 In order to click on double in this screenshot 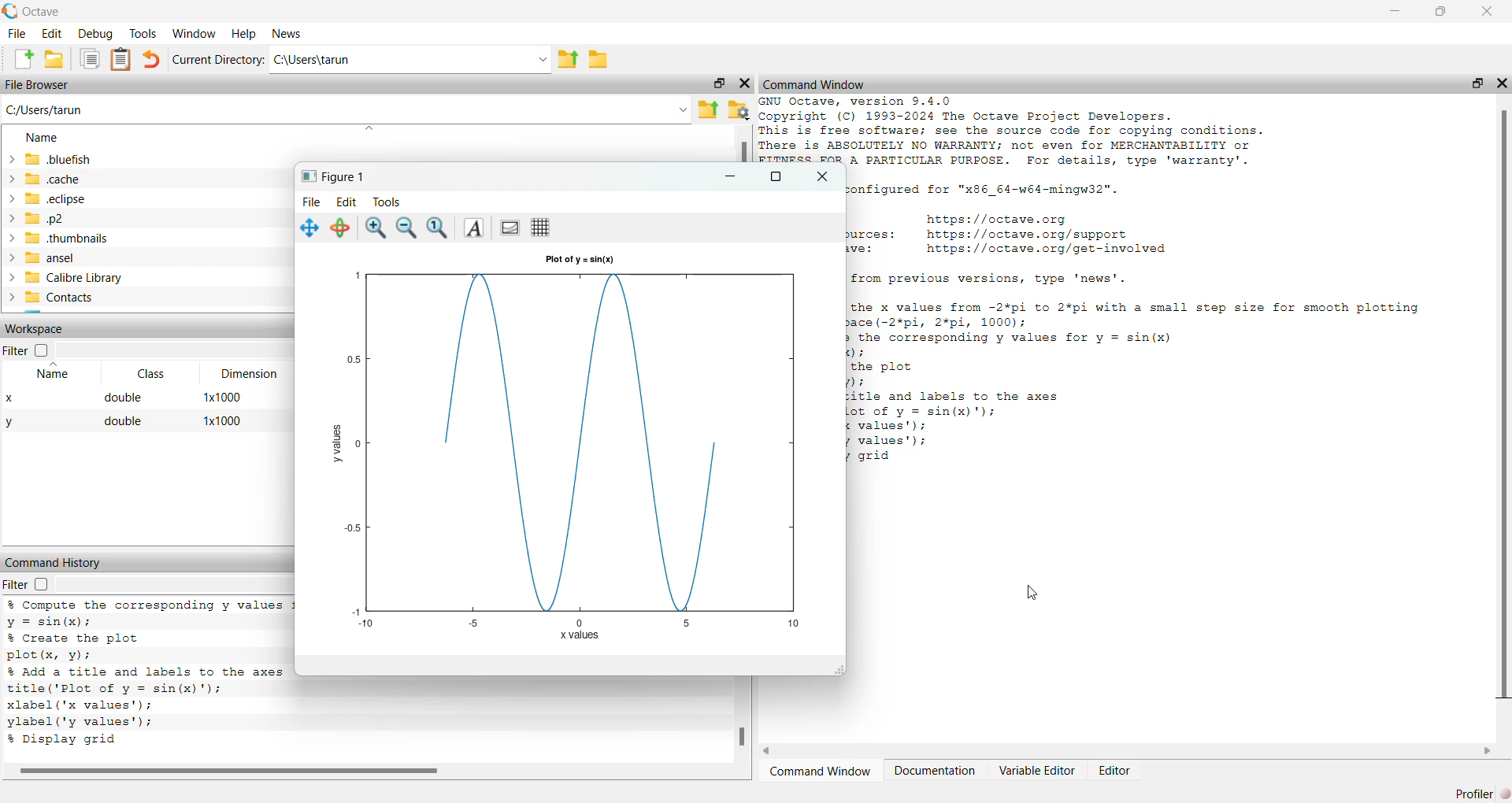, I will do `click(124, 398)`.